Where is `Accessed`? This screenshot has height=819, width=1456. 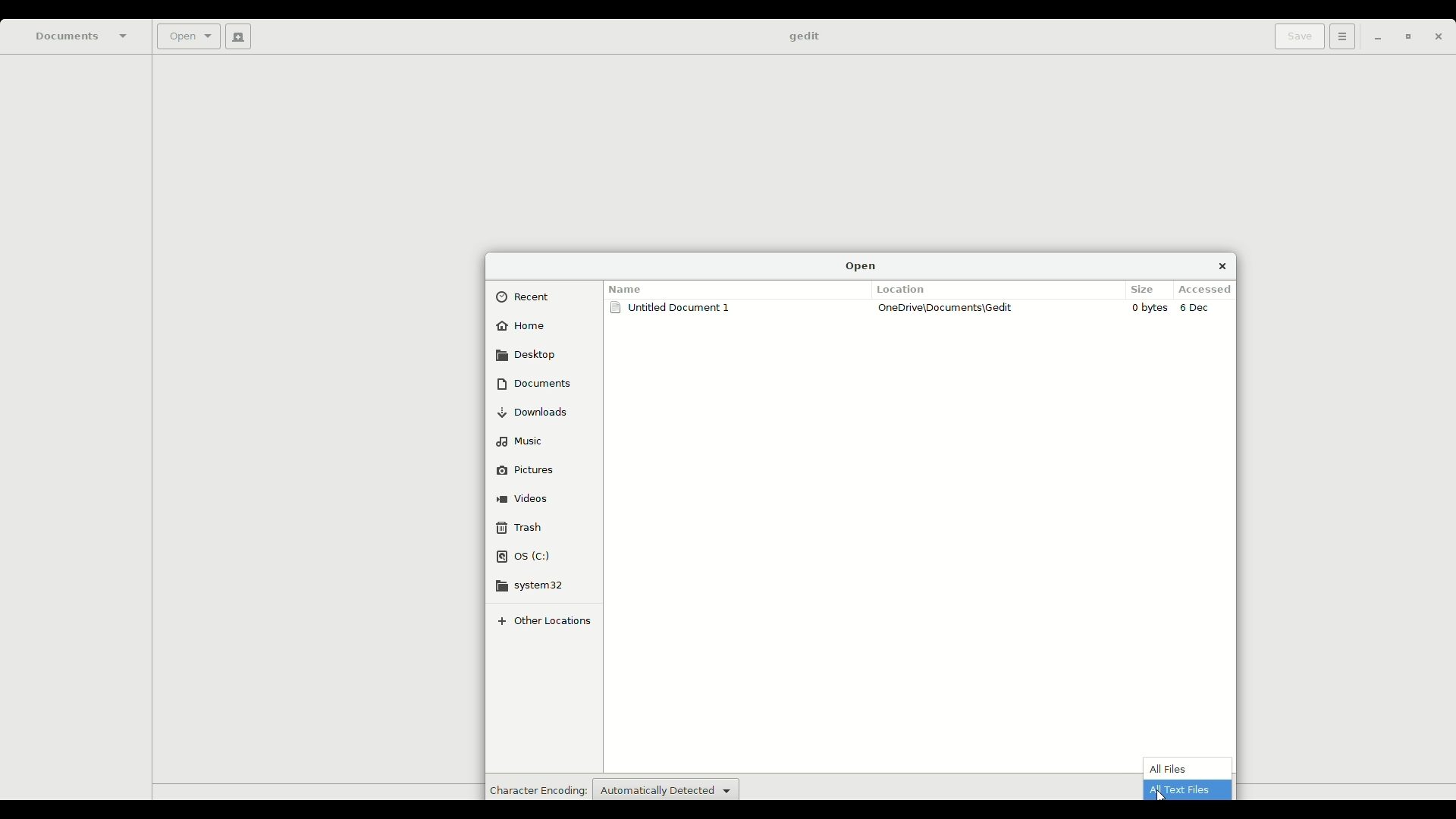
Accessed is located at coordinates (1209, 290).